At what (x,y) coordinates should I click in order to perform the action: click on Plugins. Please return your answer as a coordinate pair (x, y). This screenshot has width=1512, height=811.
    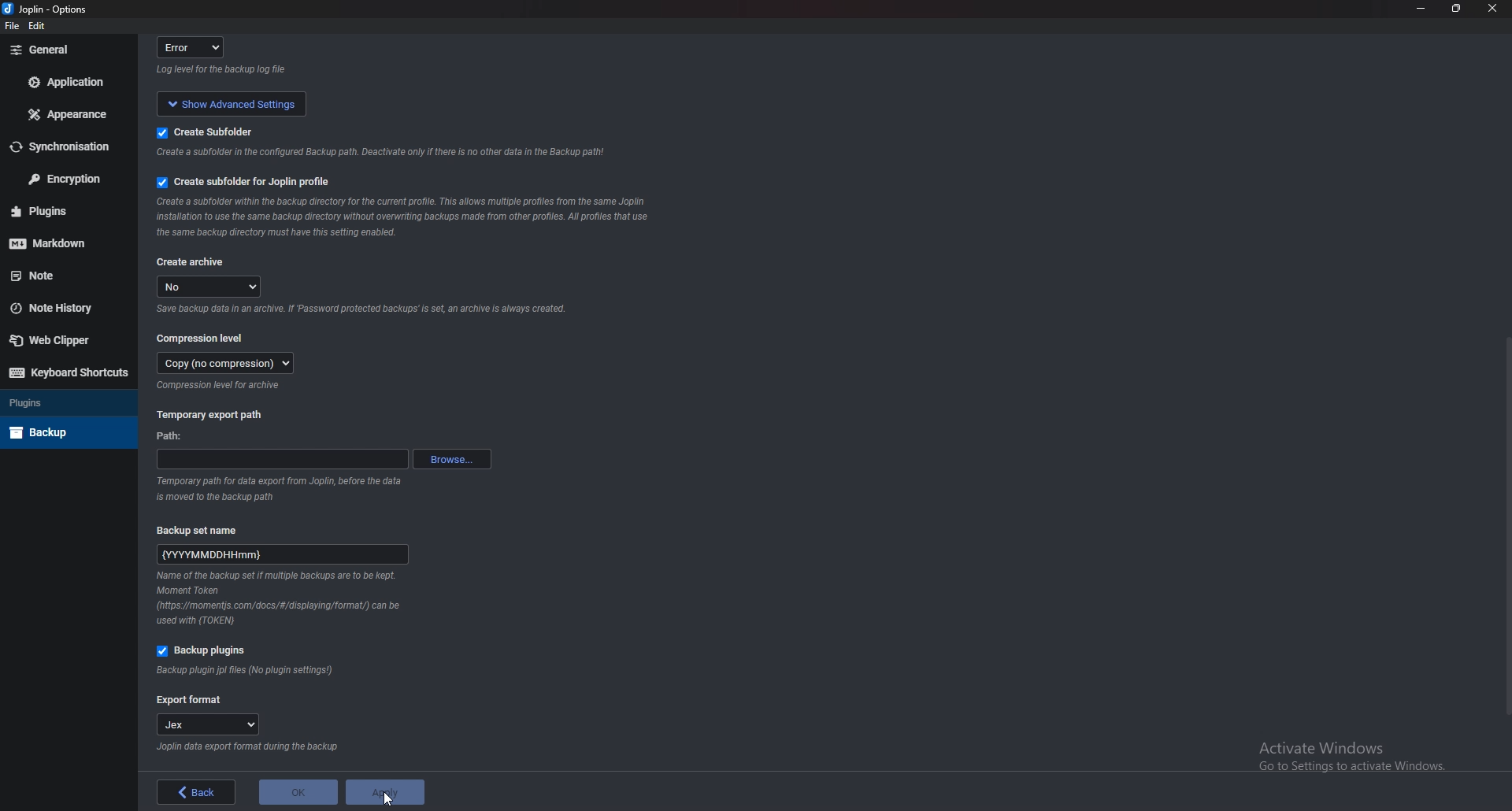
    Looking at the image, I should click on (65, 402).